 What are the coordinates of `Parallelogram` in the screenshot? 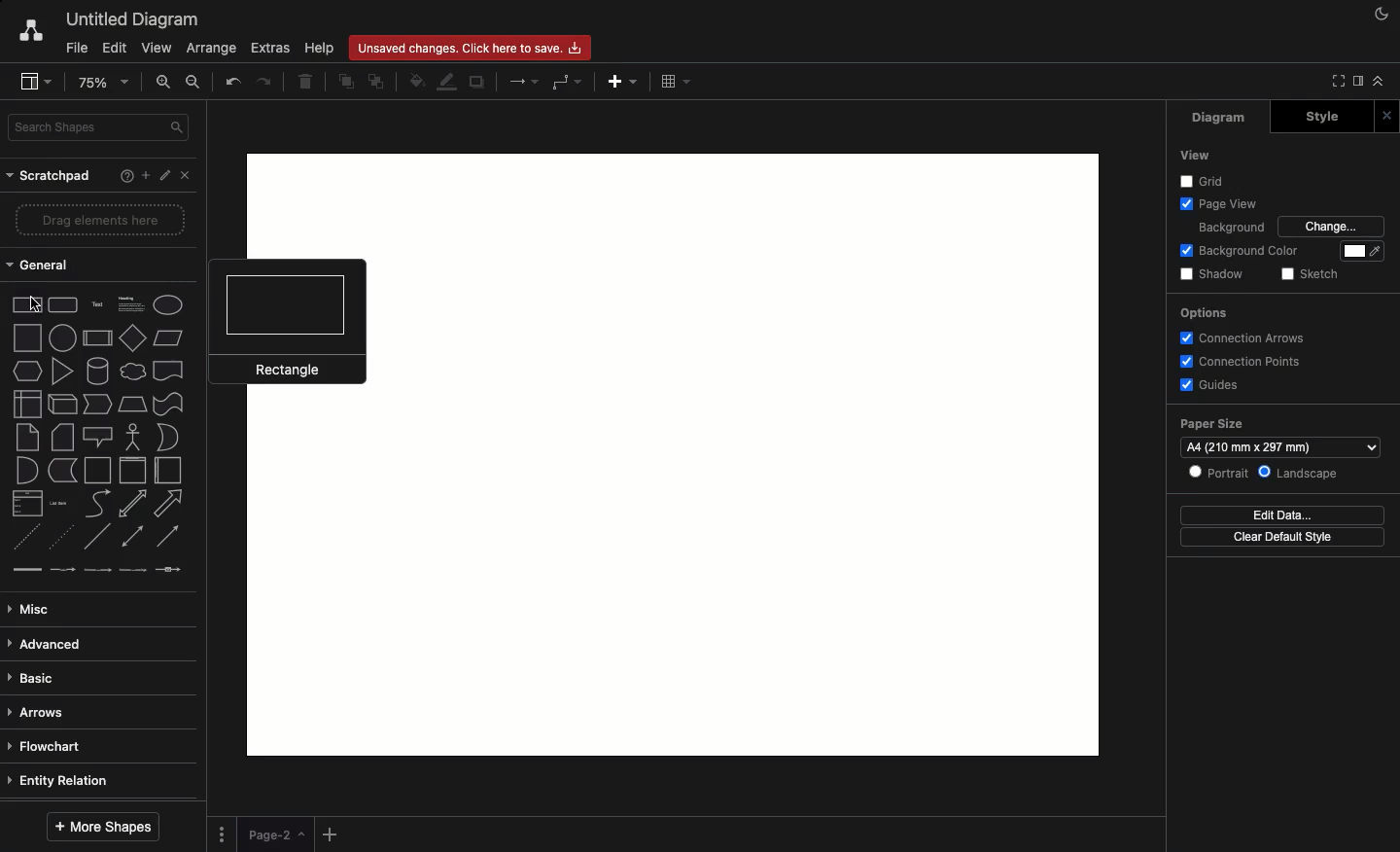 It's located at (166, 337).